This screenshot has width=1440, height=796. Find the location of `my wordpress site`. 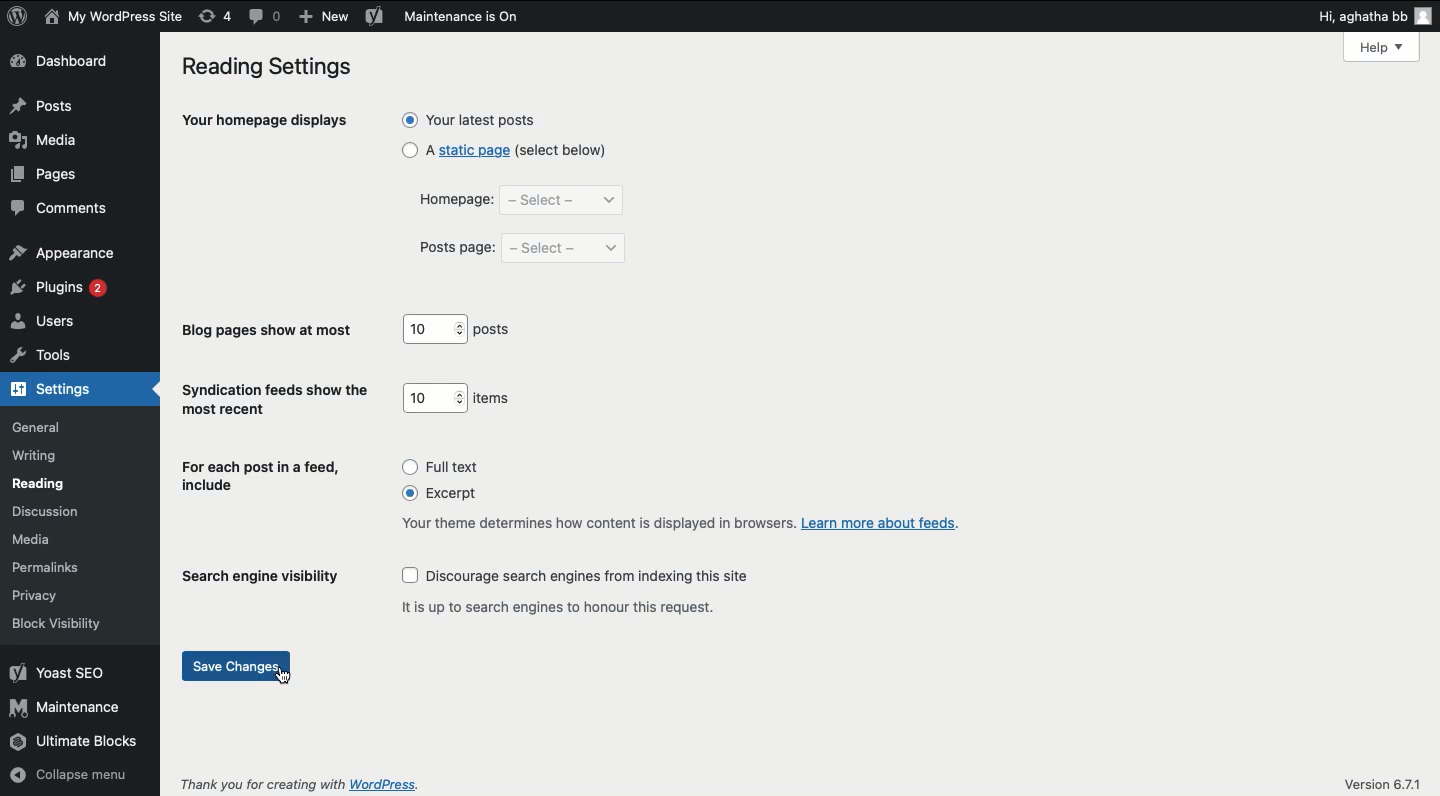

my wordpress site is located at coordinates (115, 18).